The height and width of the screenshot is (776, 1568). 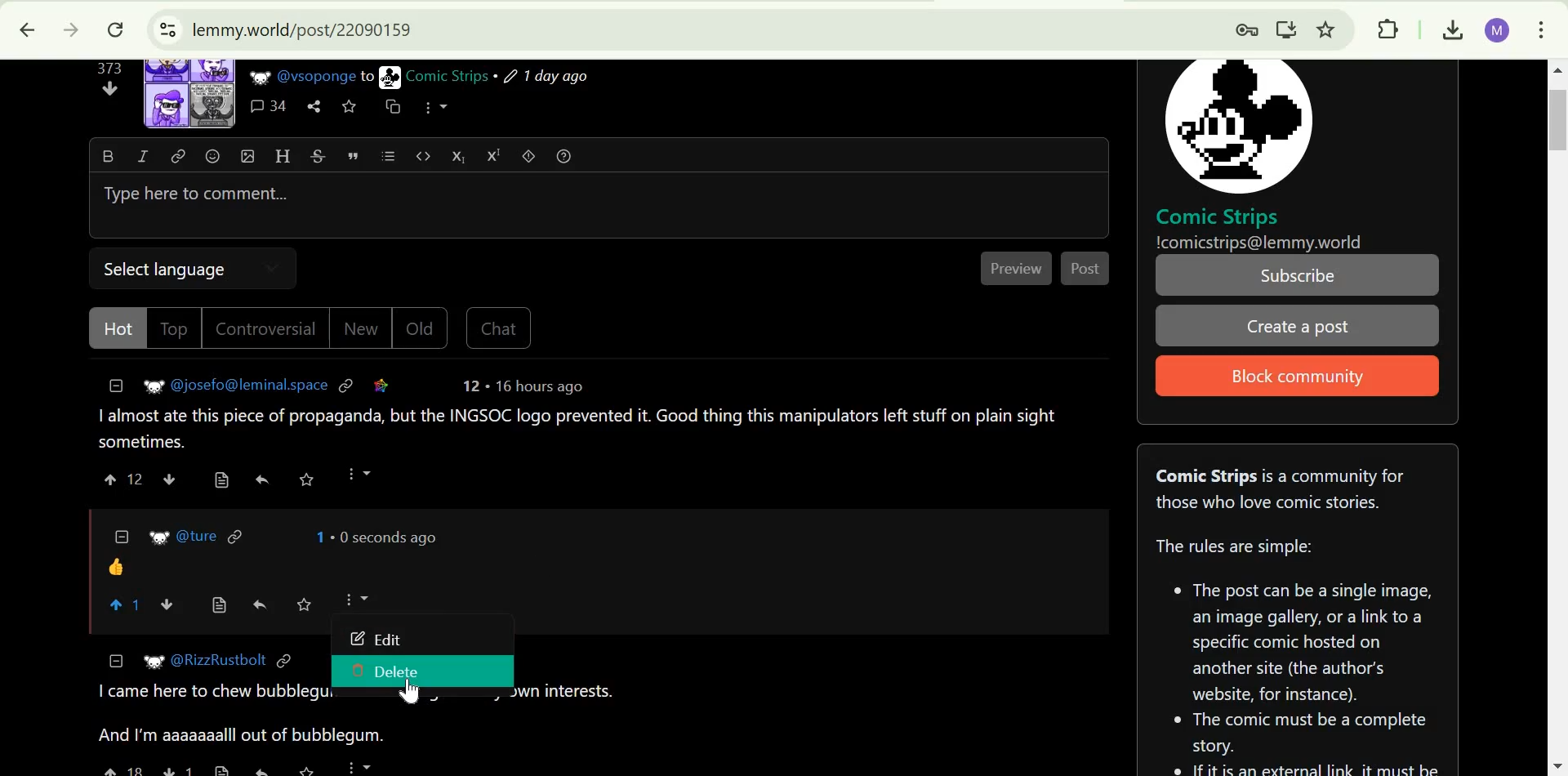 What do you see at coordinates (172, 265) in the screenshot?
I see `Select language` at bounding box center [172, 265].